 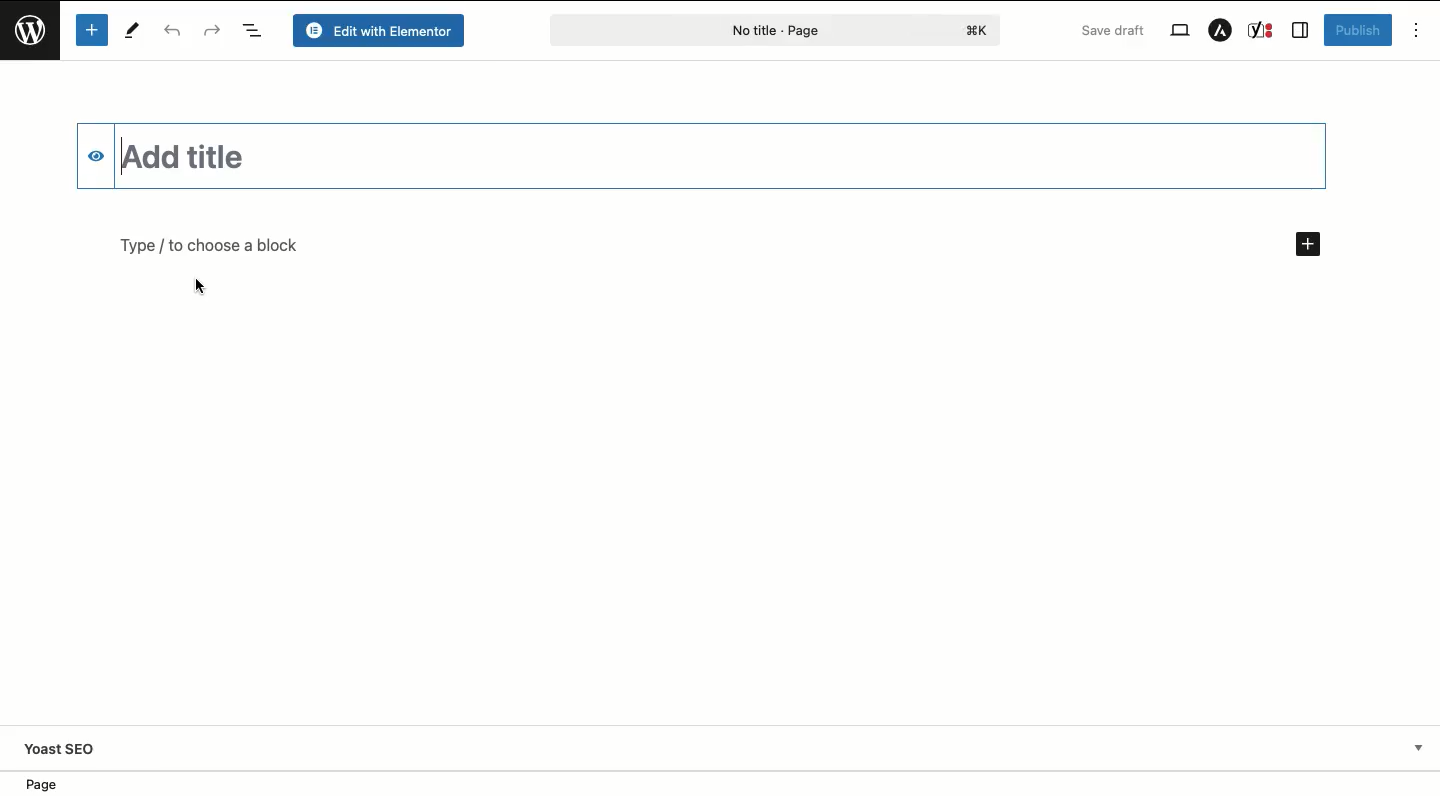 I want to click on Show, so click(x=1415, y=747).